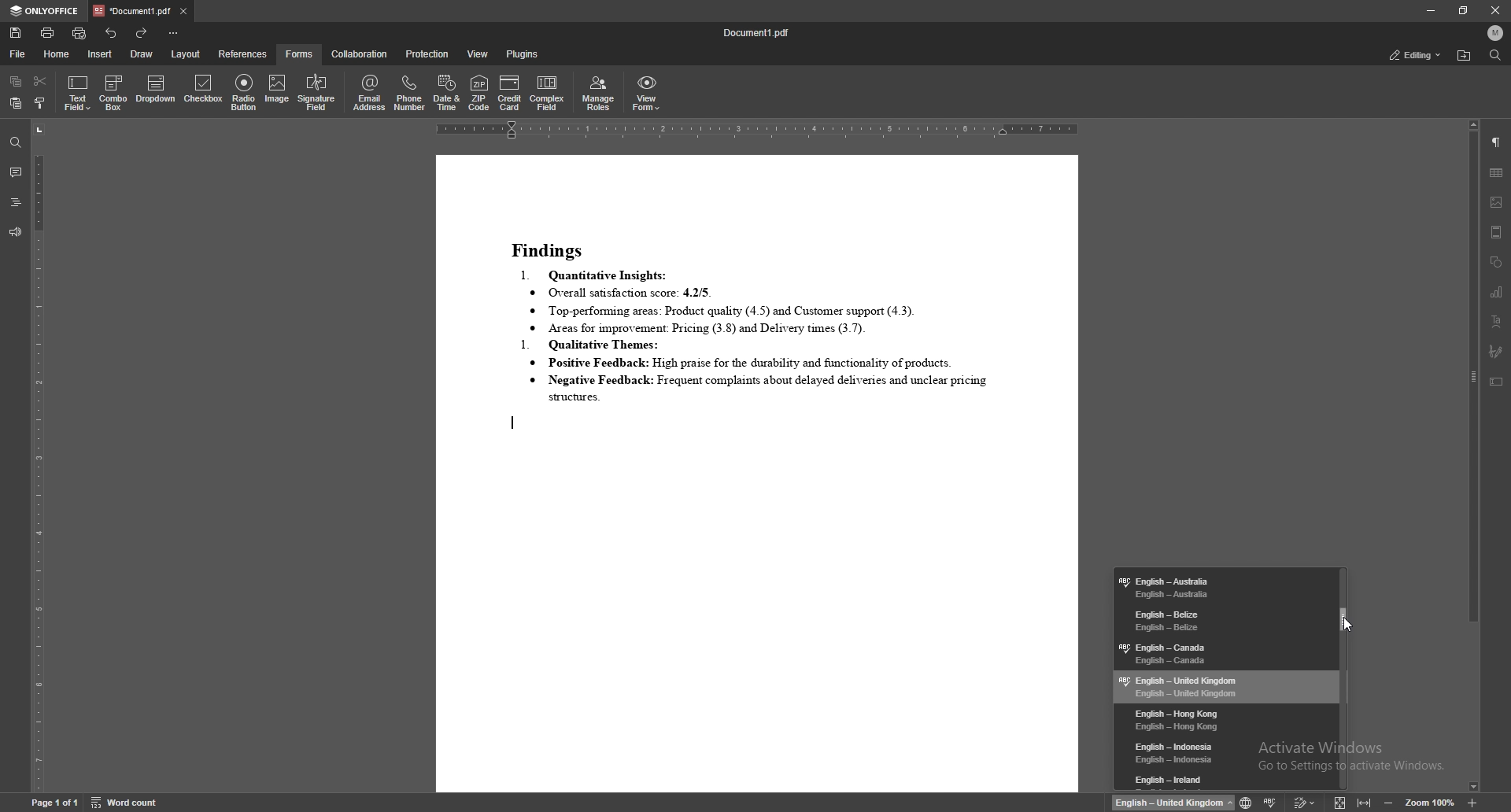 The image size is (1511, 812). What do you see at coordinates (1300, 803) in the screenshot?
I see `track change` at bounding box center [1300, 803].